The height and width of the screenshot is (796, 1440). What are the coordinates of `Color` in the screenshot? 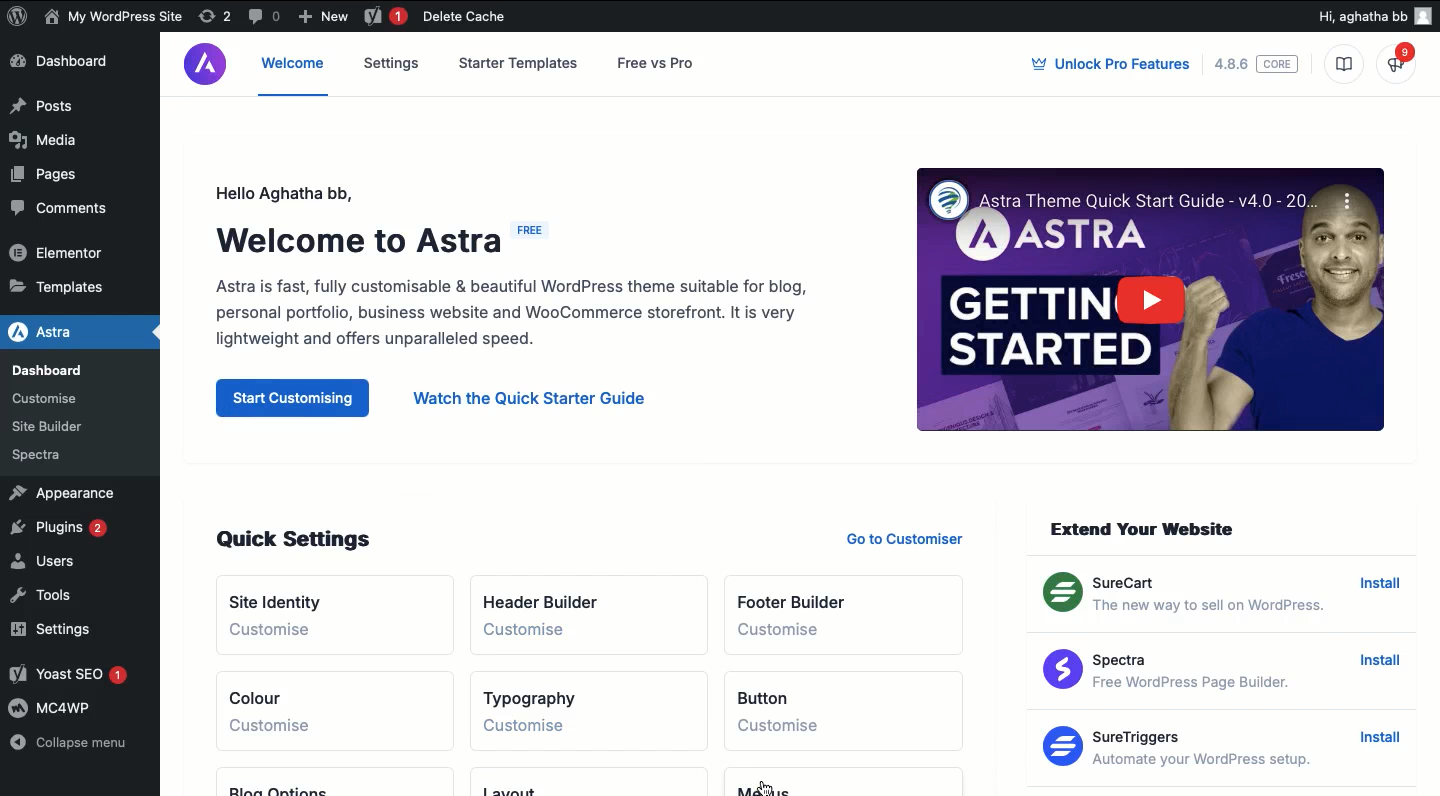 It's located at (270, 692).